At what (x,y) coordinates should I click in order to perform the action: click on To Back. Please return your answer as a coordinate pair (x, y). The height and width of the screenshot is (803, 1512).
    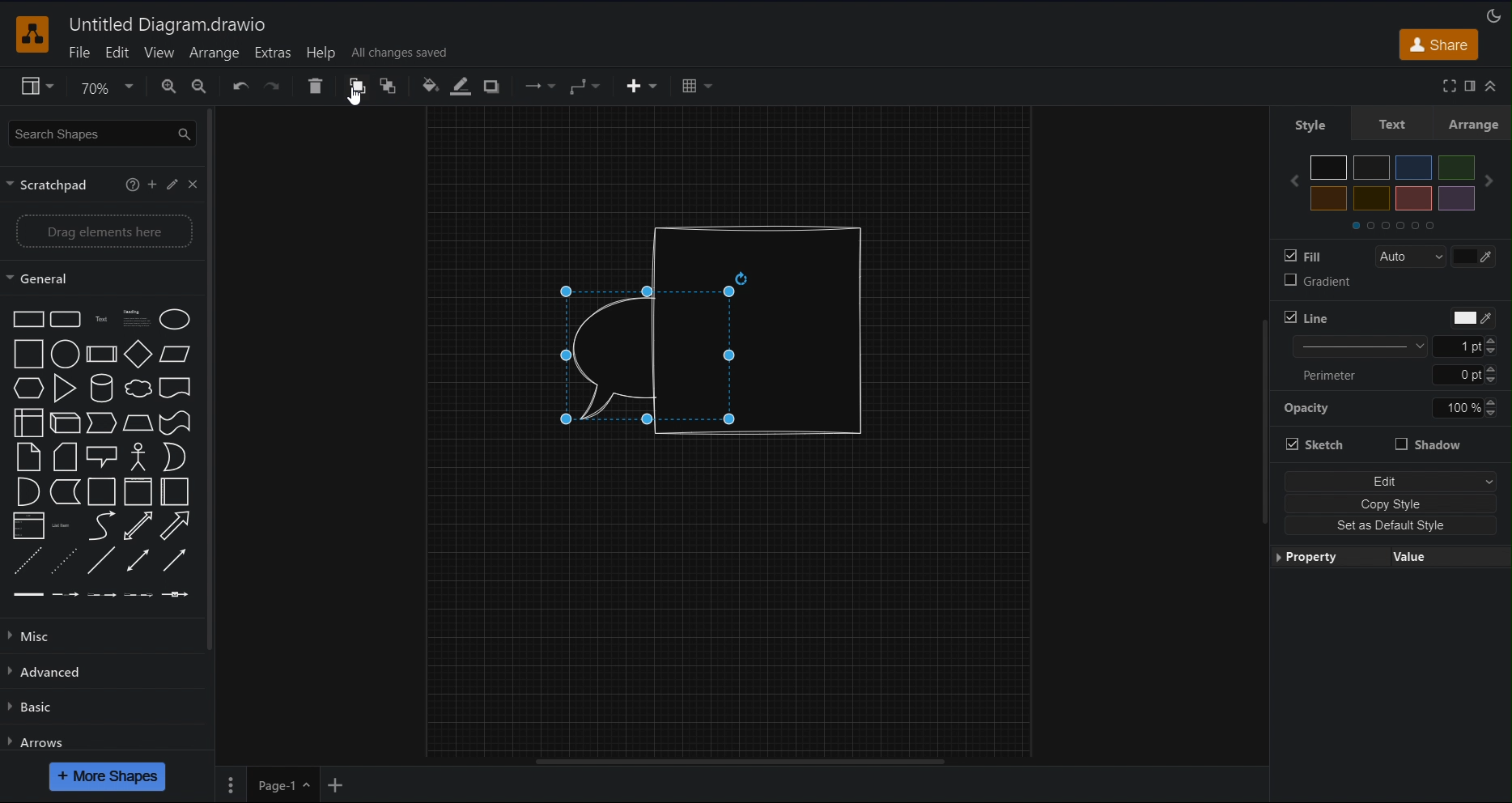
    Looking at the image, I should click on (391, 86).